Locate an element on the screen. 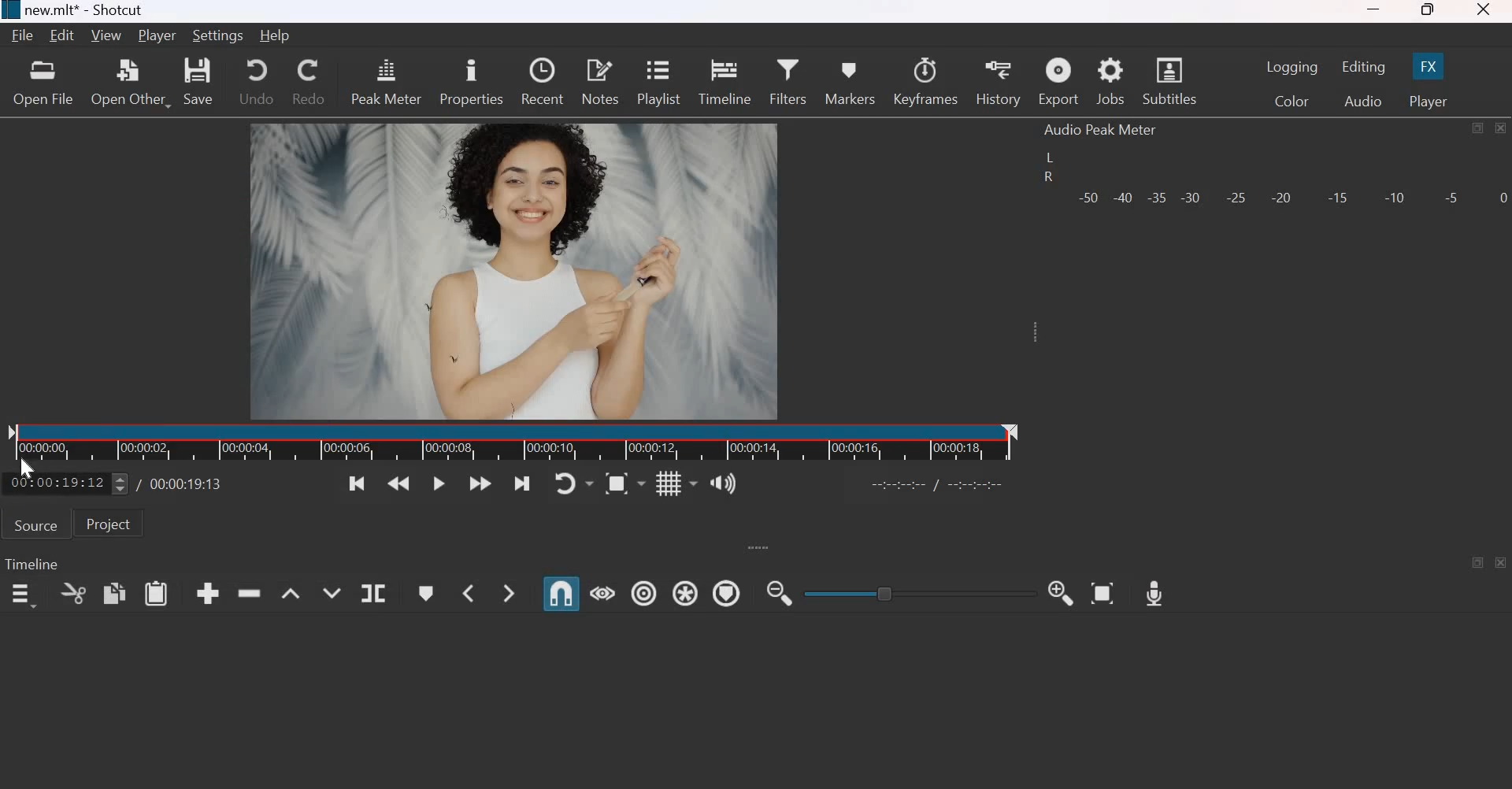 The image size is (1512, 789). left is located at coordinates (1052, 157).